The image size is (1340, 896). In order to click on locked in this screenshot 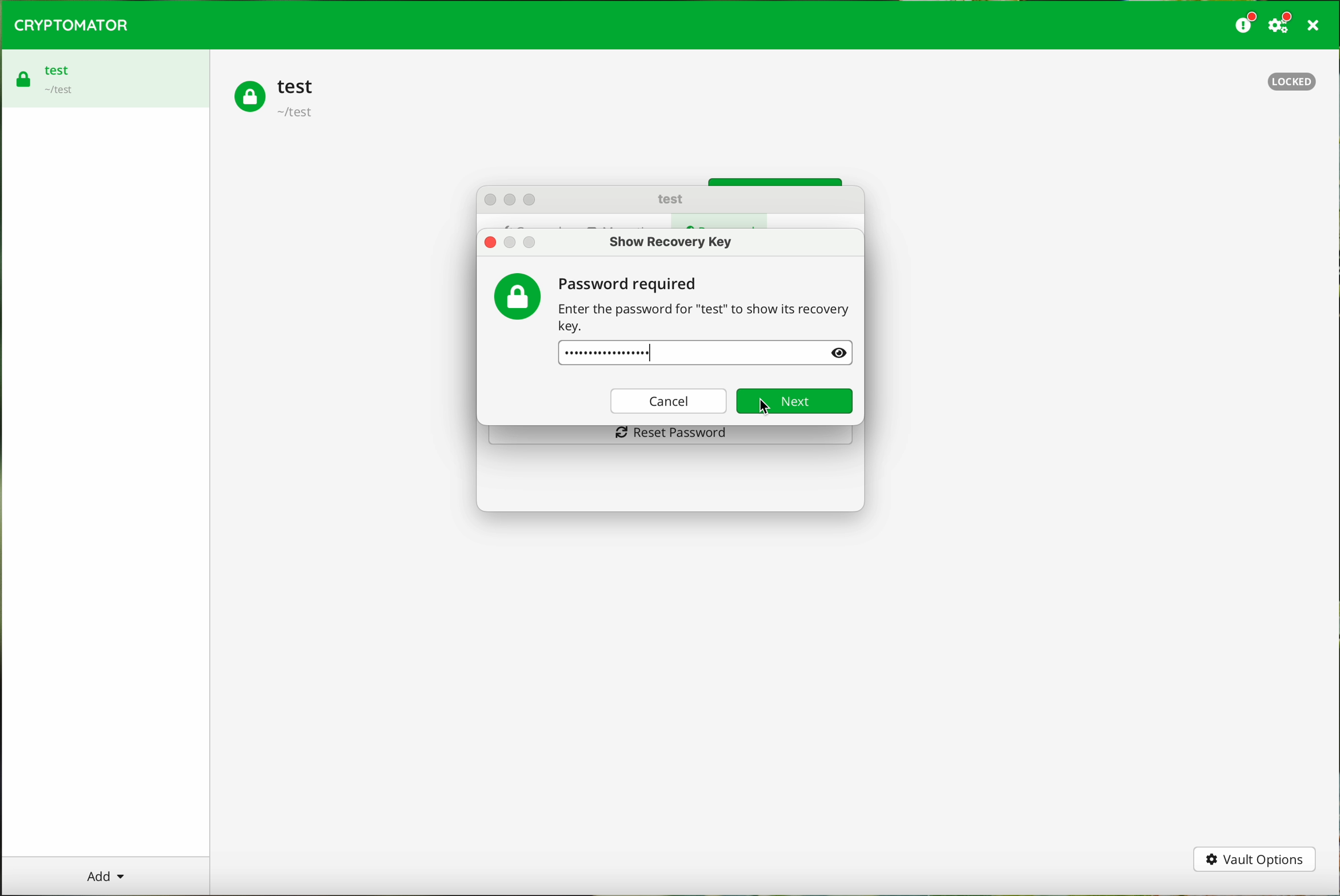, I will do `click(1295, 83)`.